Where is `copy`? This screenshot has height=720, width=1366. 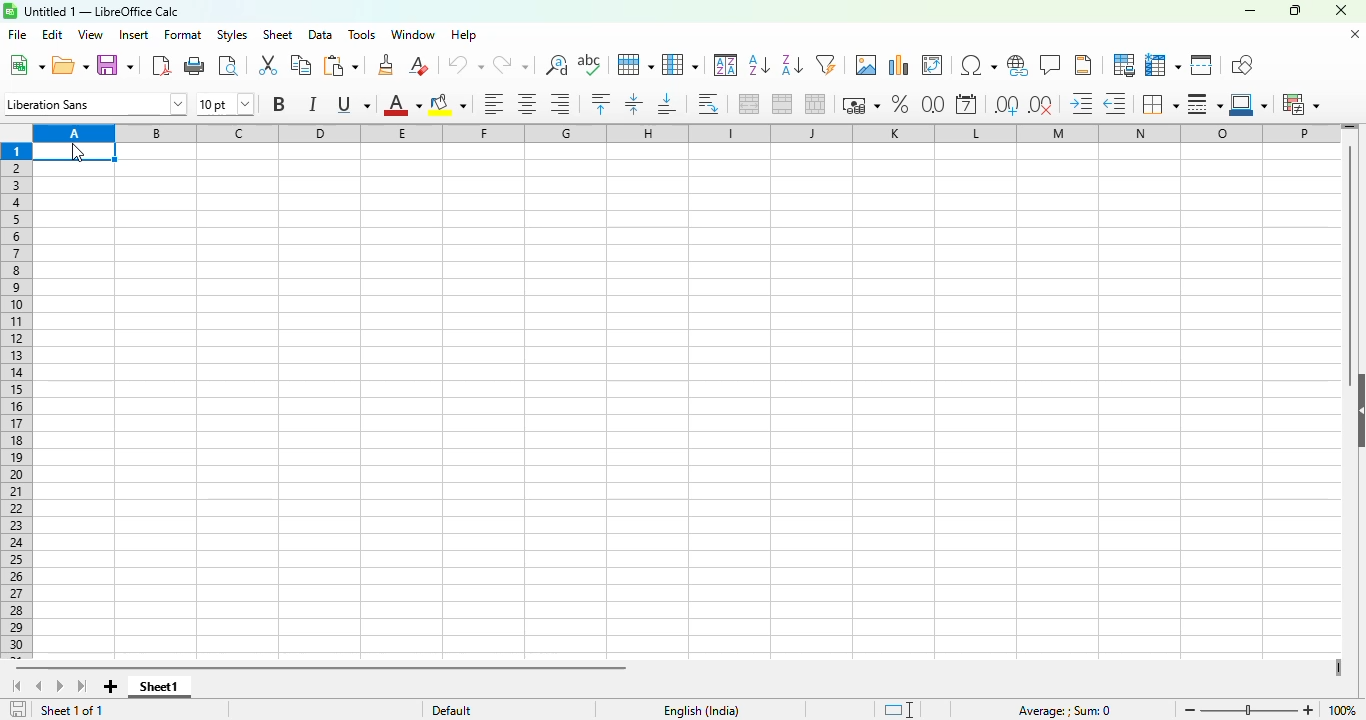 copy is located at coordinates (301, 65).